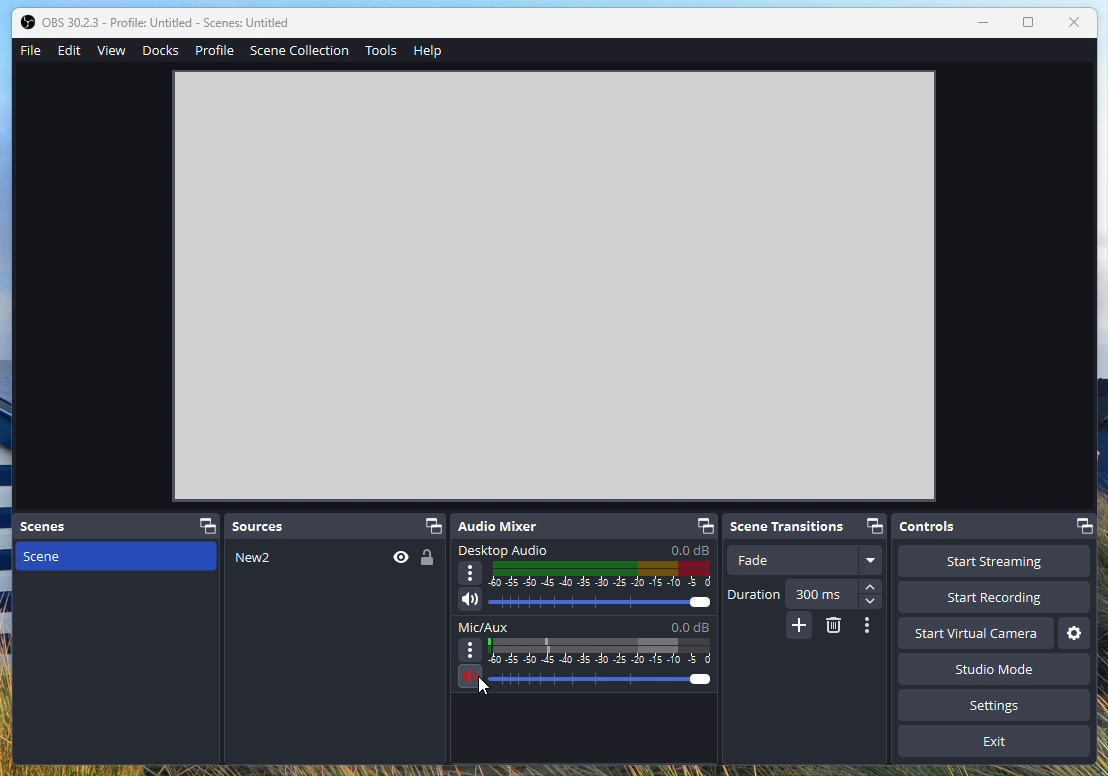  I want to click on Start Virtual Camera, so click(976, 634).